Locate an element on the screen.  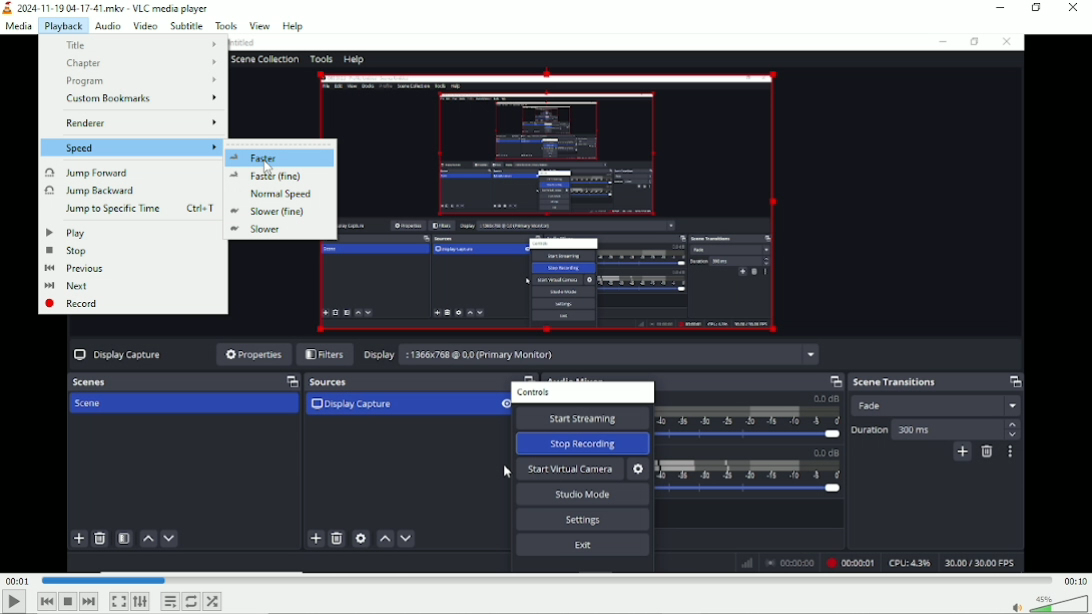
total duration is located at coordinates (1074, 579).